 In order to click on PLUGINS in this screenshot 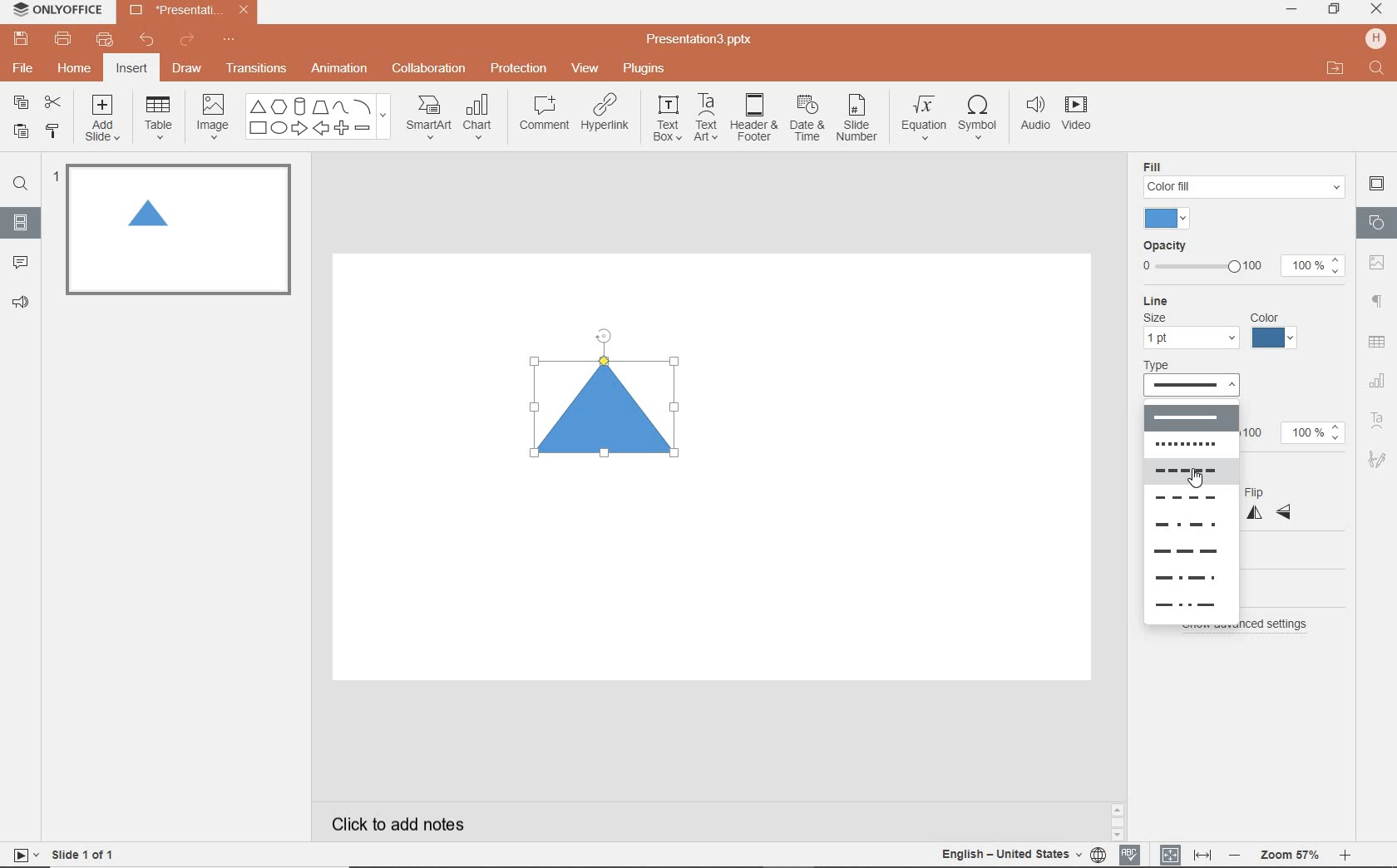, I will do `click(646, 67)`.